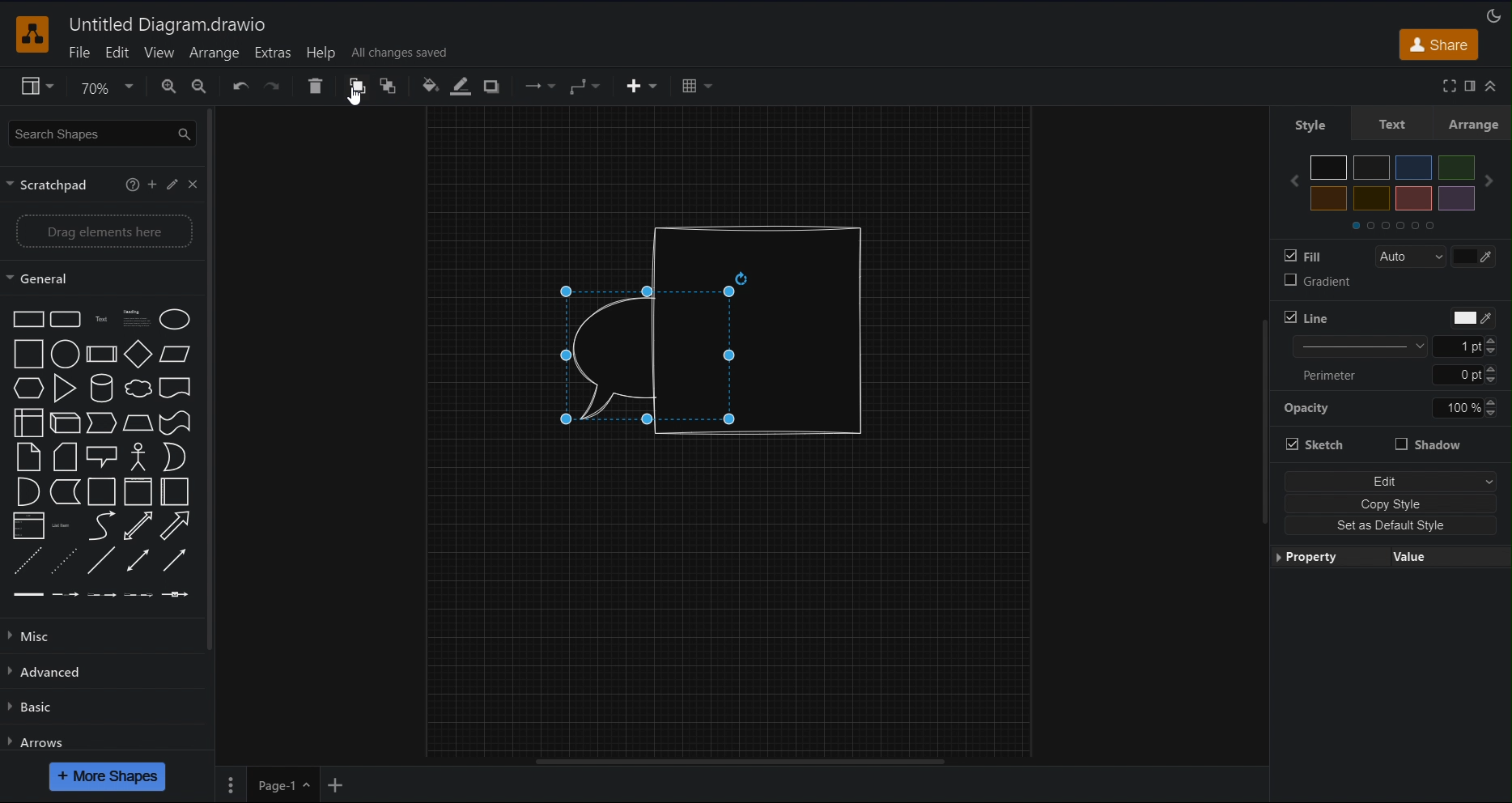 The width and height of the screenshot is (1512, 803). Describe the element at coordinates (64, 526) in the screenshot. I see `List item` at that location.